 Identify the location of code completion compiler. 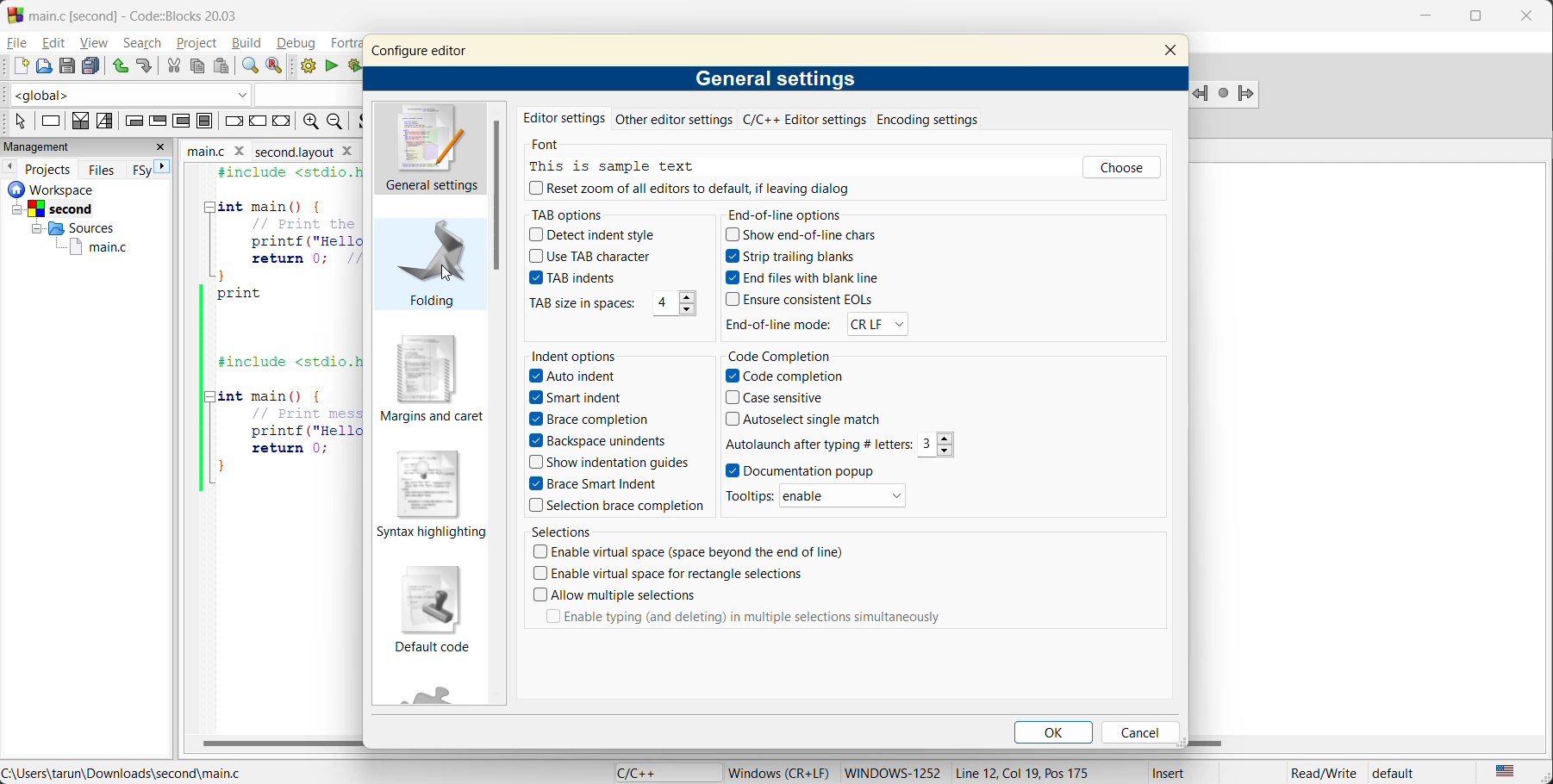
(178, 92).